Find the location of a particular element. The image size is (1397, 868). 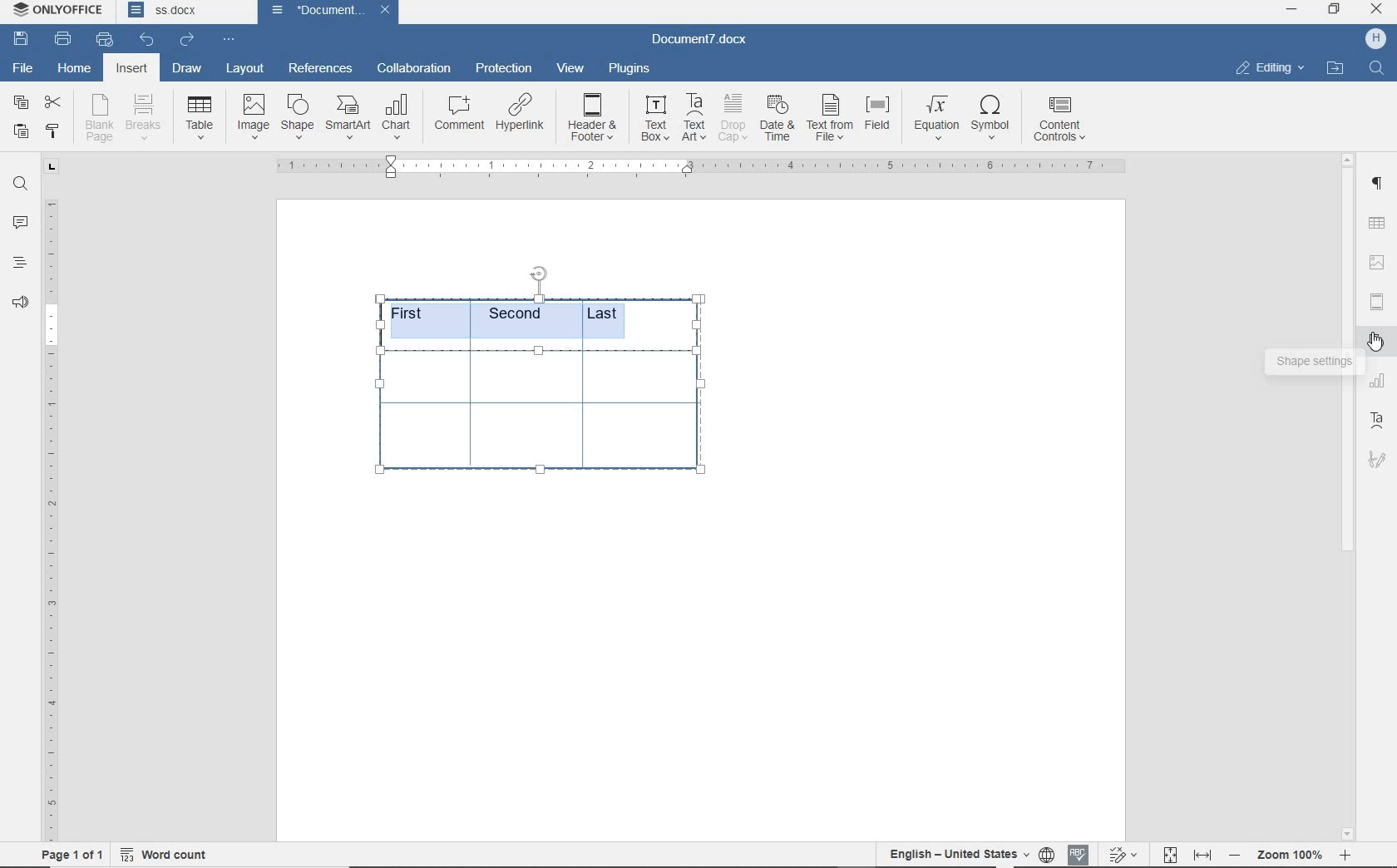

home is located at coordinates (76, 70).